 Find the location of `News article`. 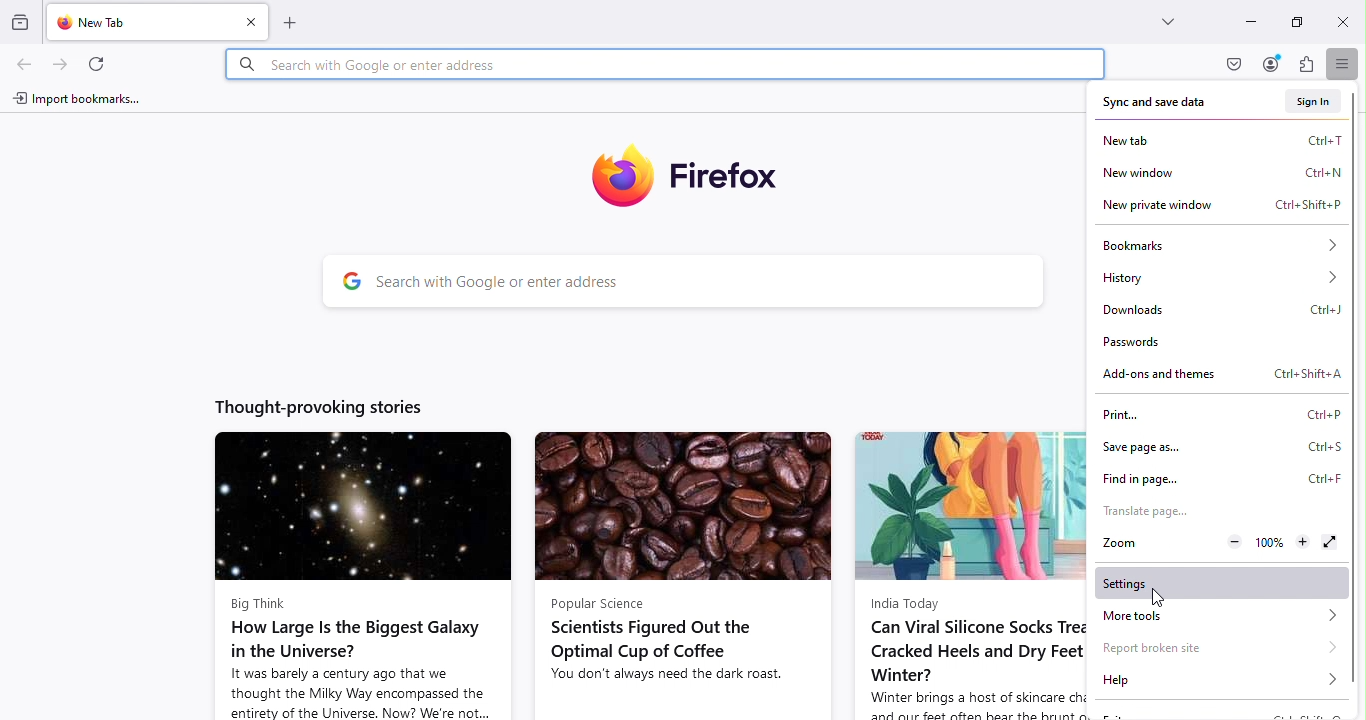

News article is located at coordinates (362, 574).